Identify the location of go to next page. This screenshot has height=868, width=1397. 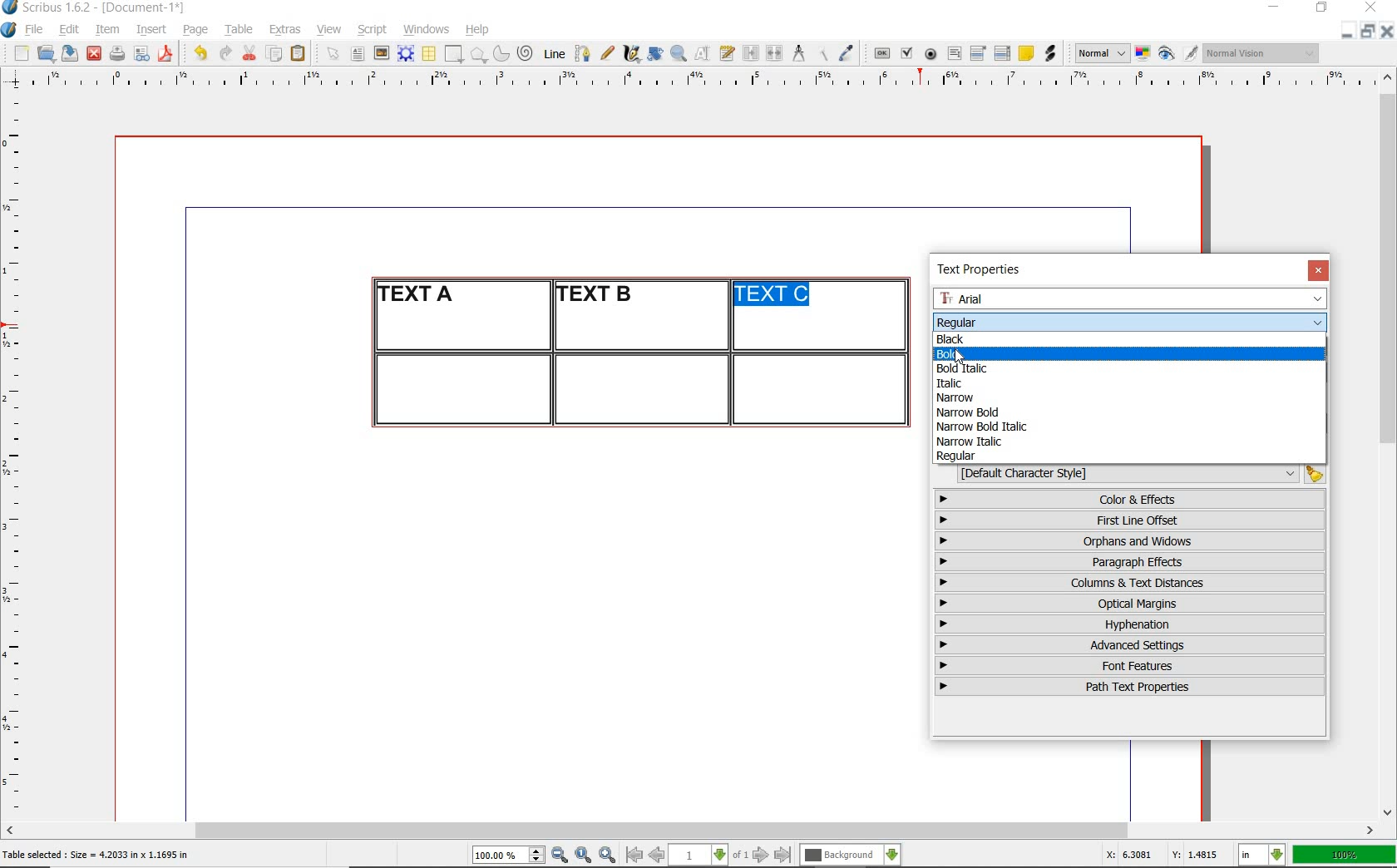
(761, 856).